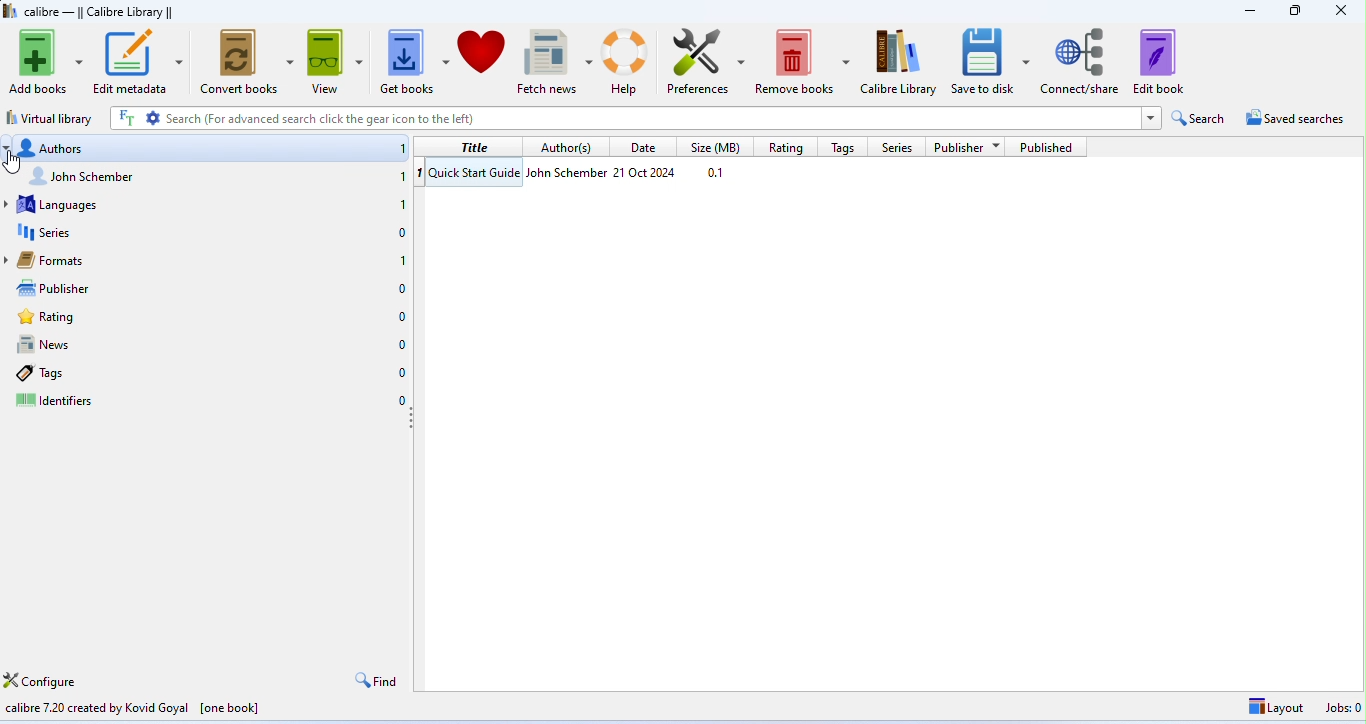  I want to click on find, so click(378, 683).